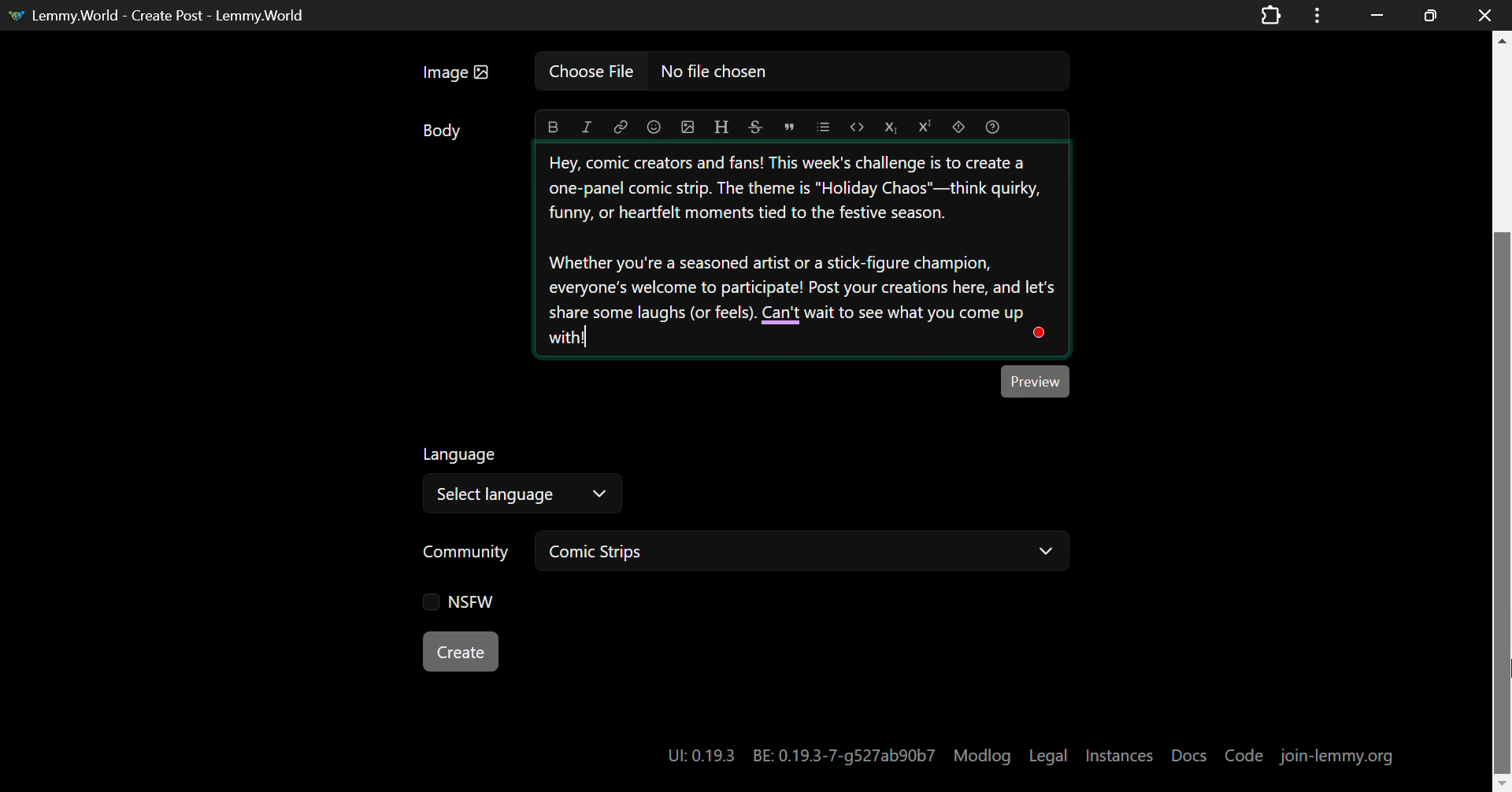 This screenshot has width=1512, height=792. What do you see at coordinates (821, 126) in the screenshot?
I see `list` at bounding box center [821, 126].